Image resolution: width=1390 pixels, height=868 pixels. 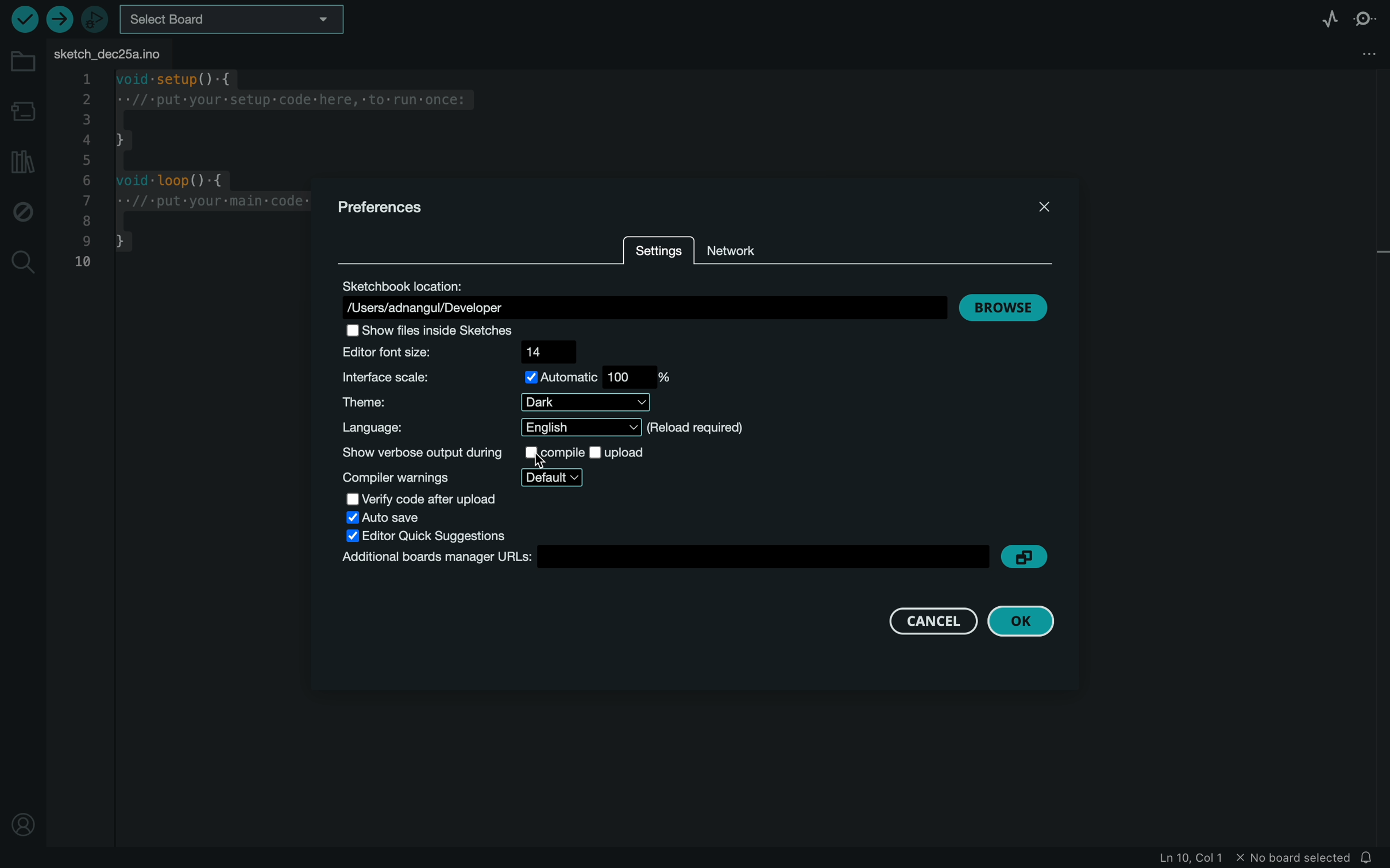 What do you see at coordinates (384, 207) in the screenshot?
I see `prefernces` at bounding box center [384, 207].